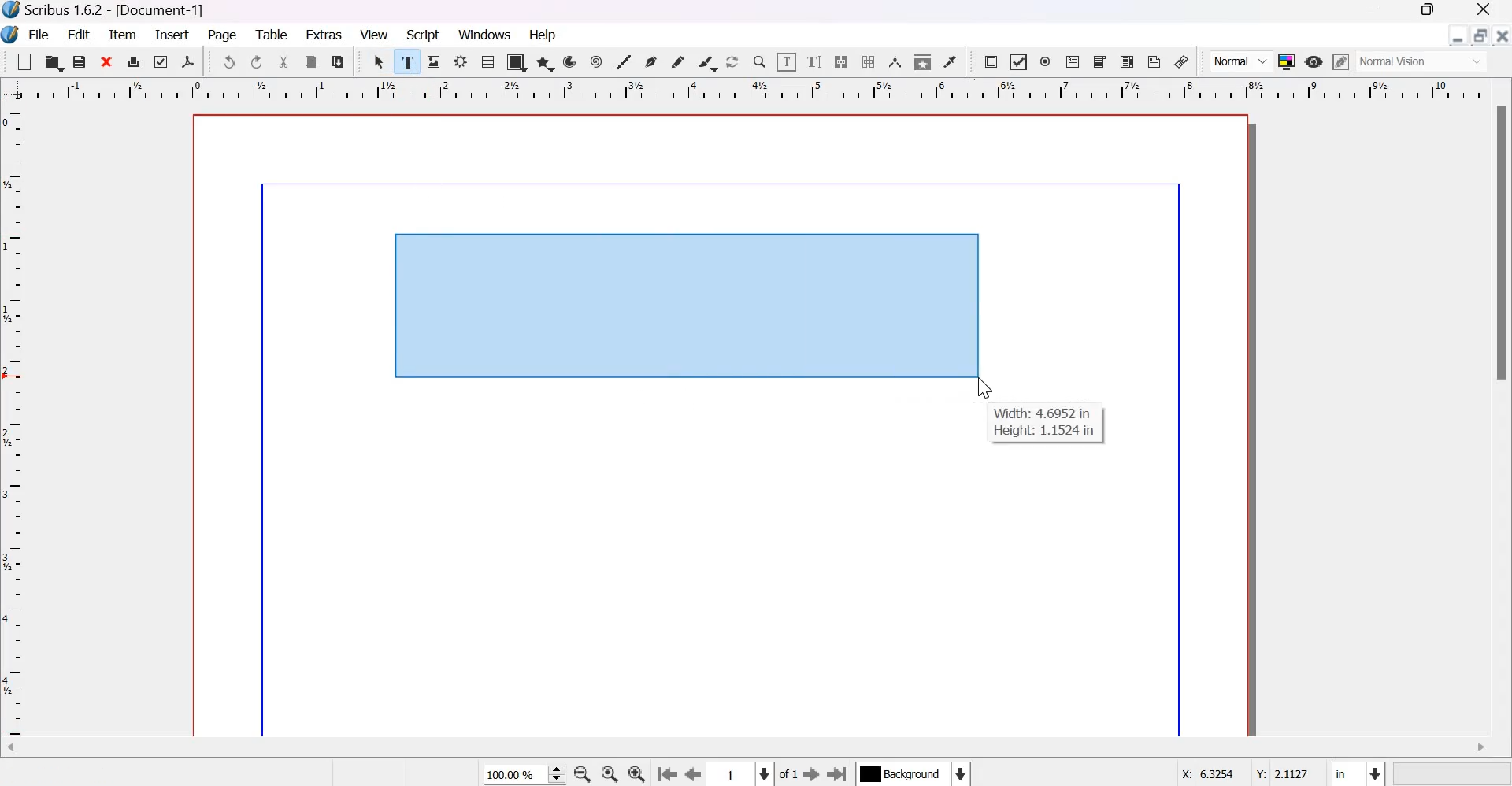  Describe the element at coordinates (11, 35) in the screenshot. I see `Logo` at that location.